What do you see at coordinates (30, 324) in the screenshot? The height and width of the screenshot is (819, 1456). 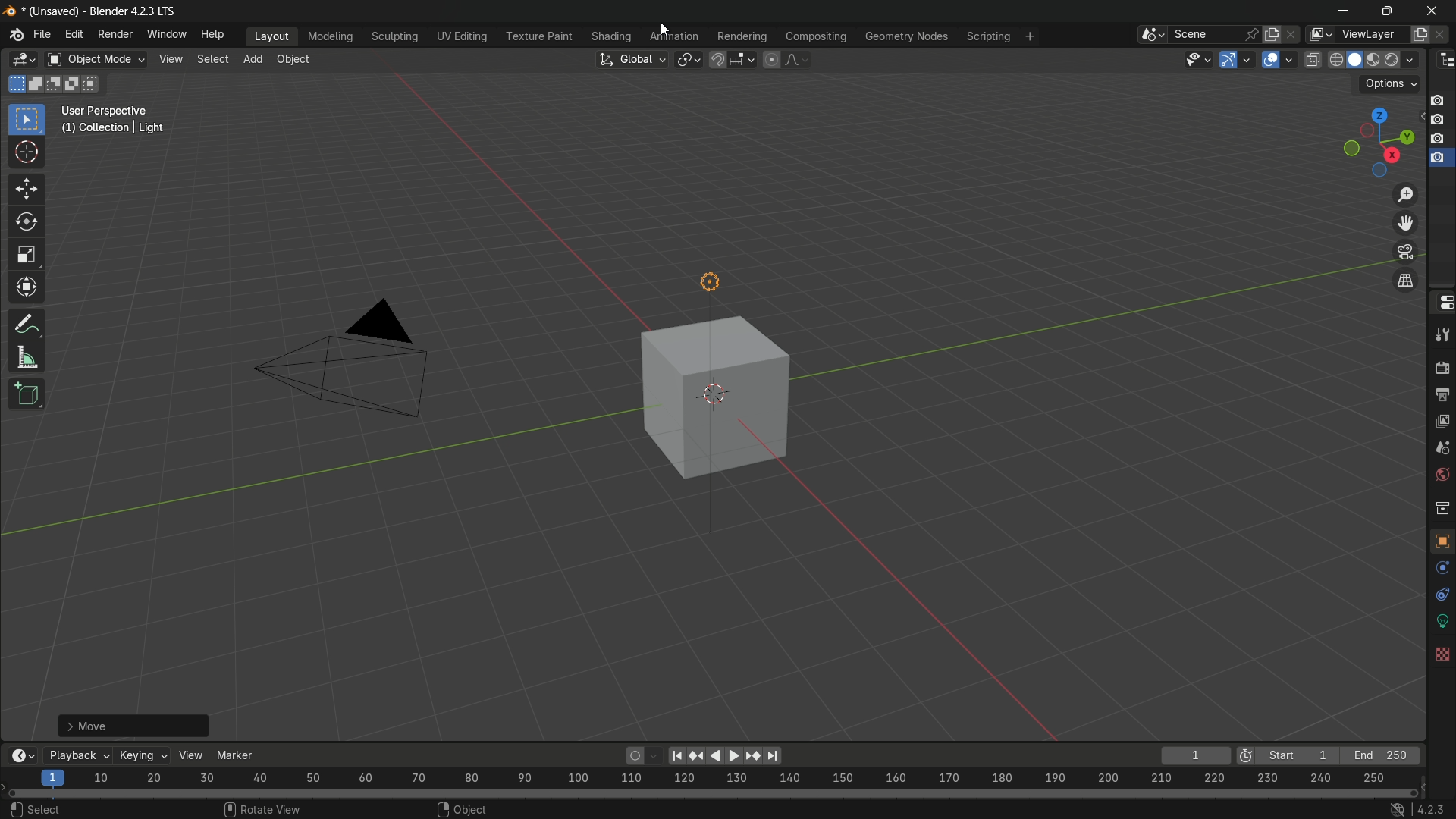 I see `annotate` at bounding box center [30, 324].